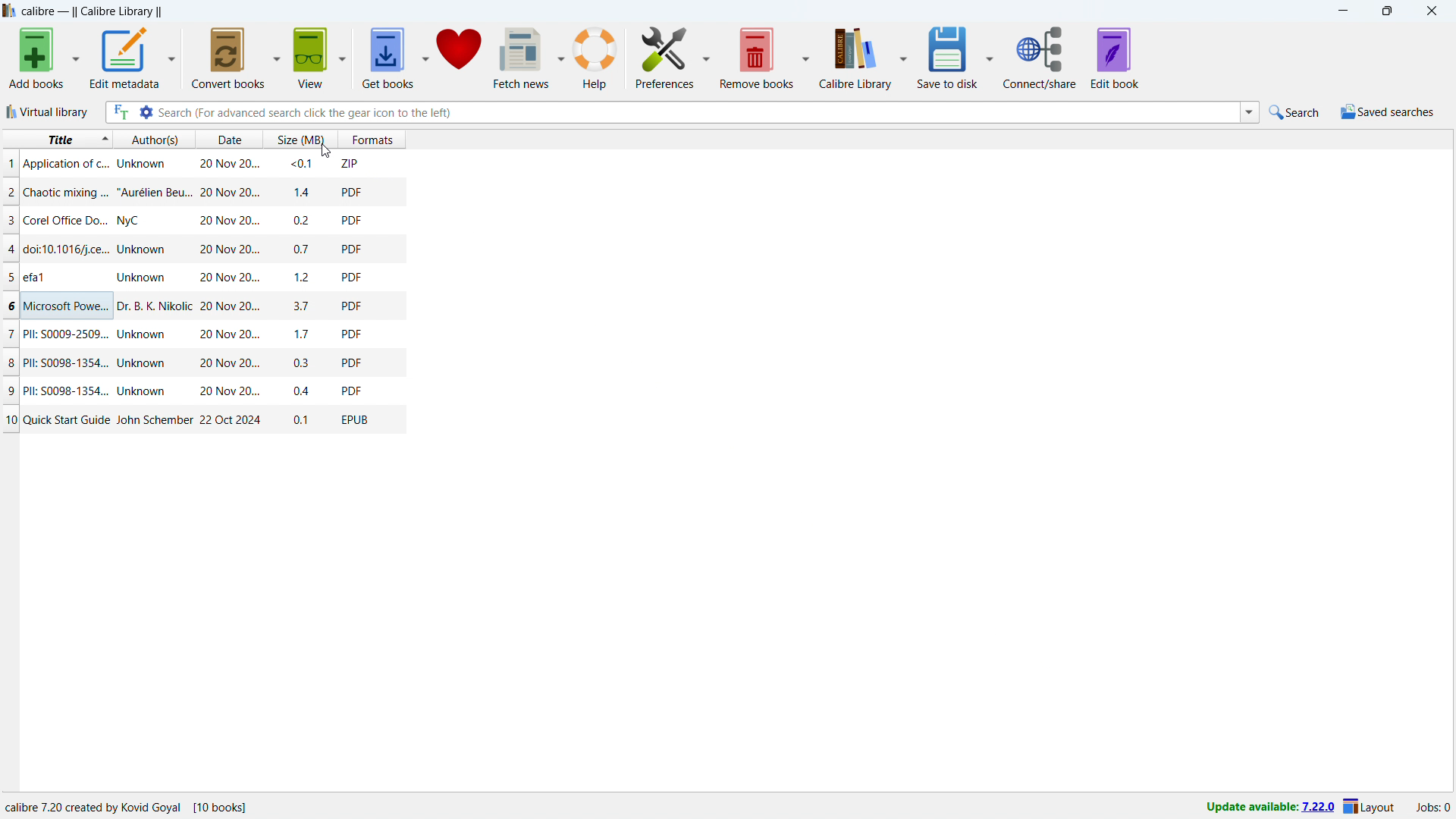 The image size is (1456, 819). Describe the element at coordinates (304, 363) in the screenshot. I see `size` at that location.